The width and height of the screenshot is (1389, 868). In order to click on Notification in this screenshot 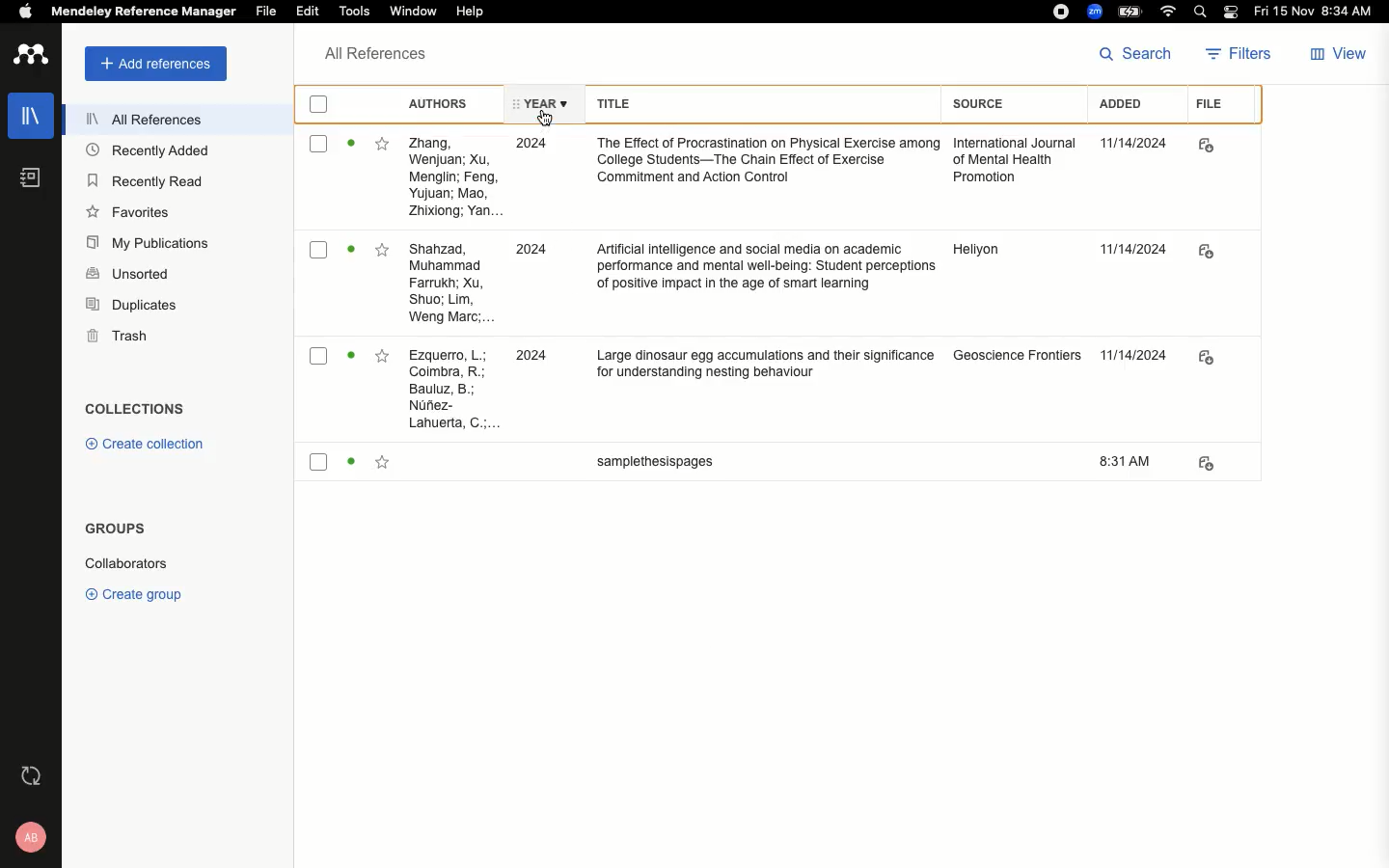, I will do `click(1232, 13)`.